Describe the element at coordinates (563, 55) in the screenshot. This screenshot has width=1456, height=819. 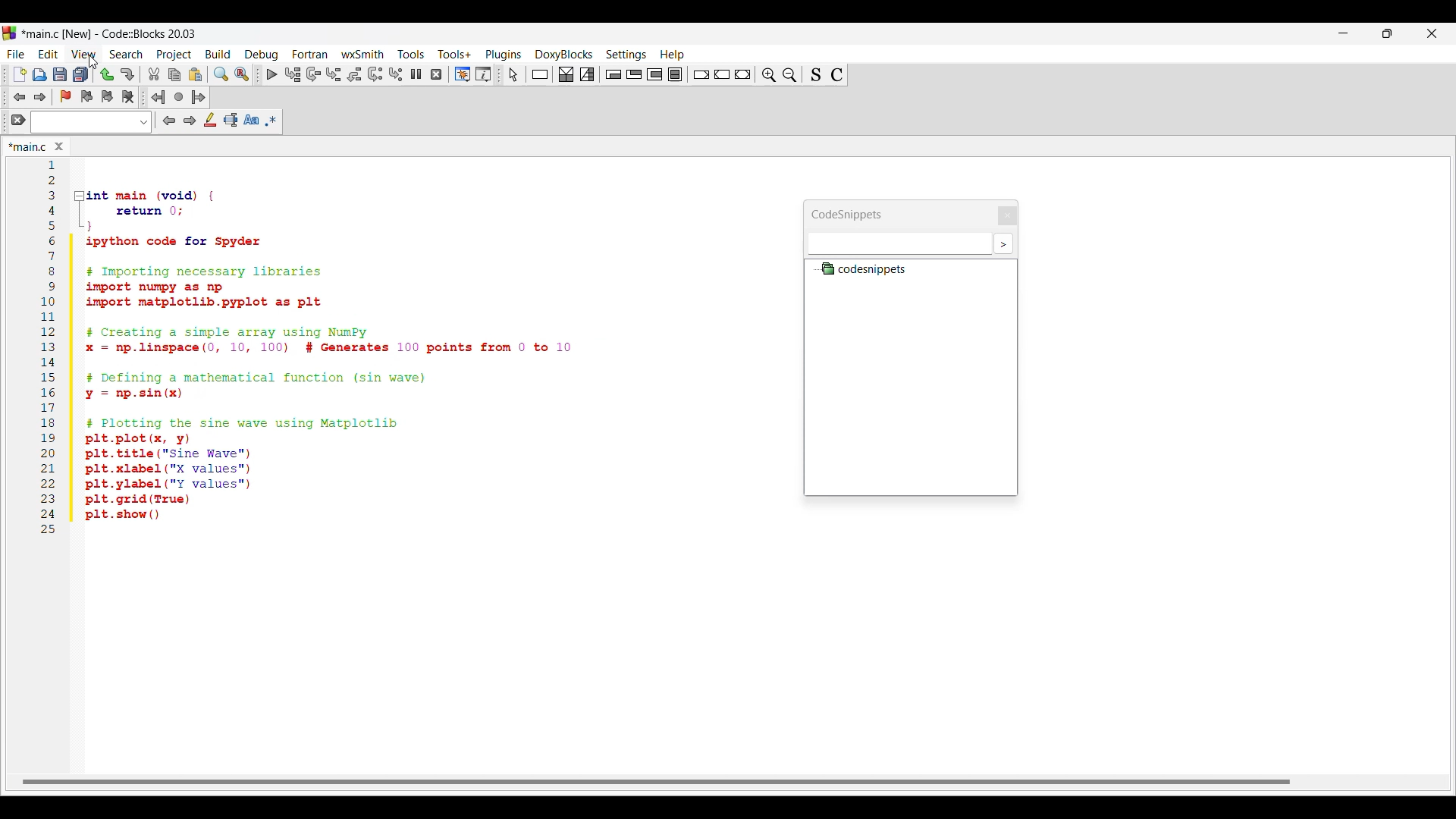
I see `DoxyBlocks menu` at that location.